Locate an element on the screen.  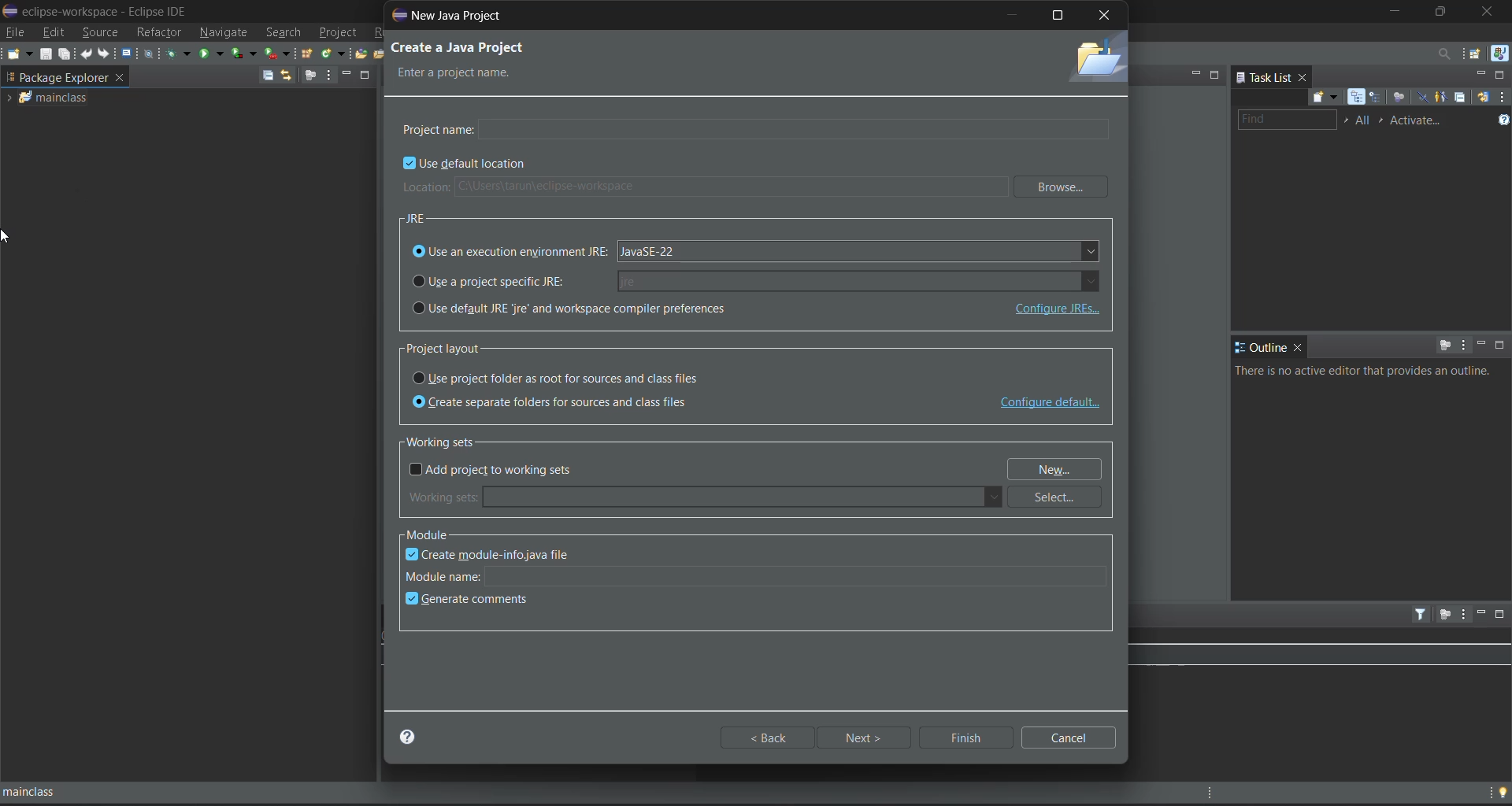
new java class is located at coordinates (335, 53).